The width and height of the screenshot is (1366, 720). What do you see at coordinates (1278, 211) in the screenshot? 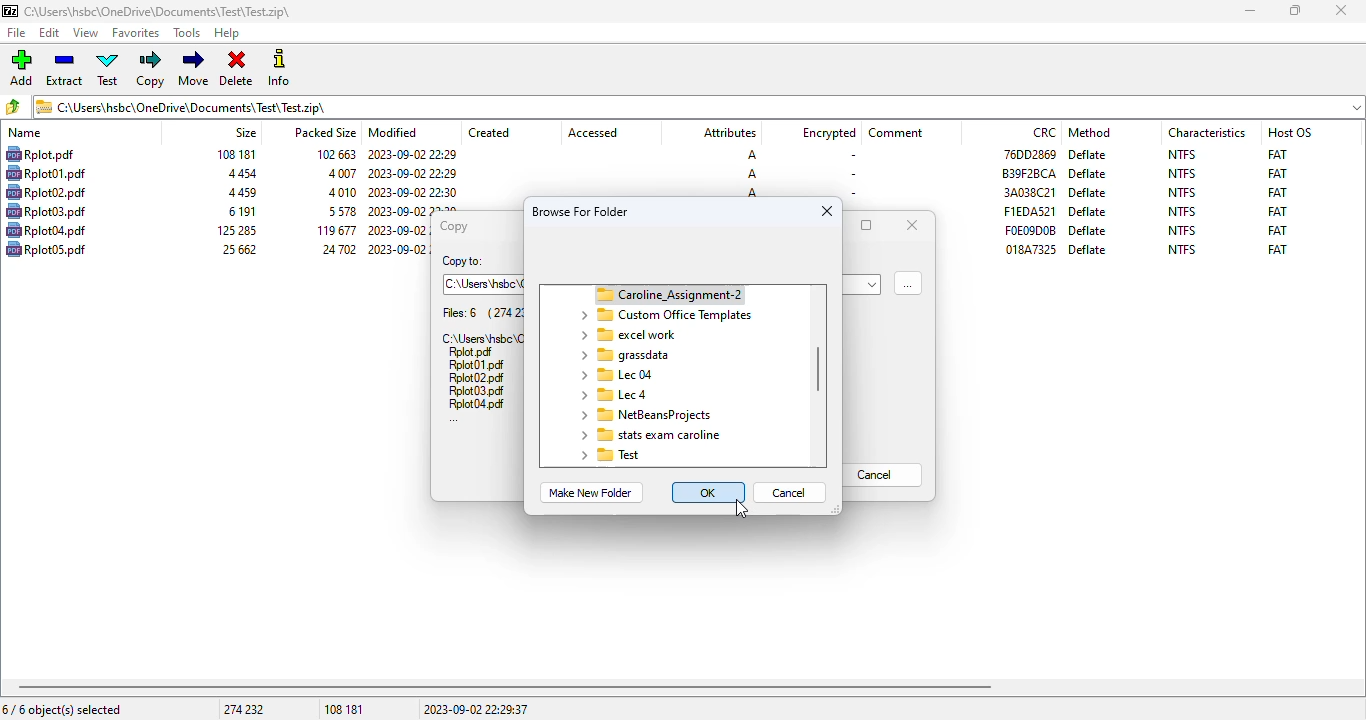
I see `FAT` at bounding box center [1278, 211].